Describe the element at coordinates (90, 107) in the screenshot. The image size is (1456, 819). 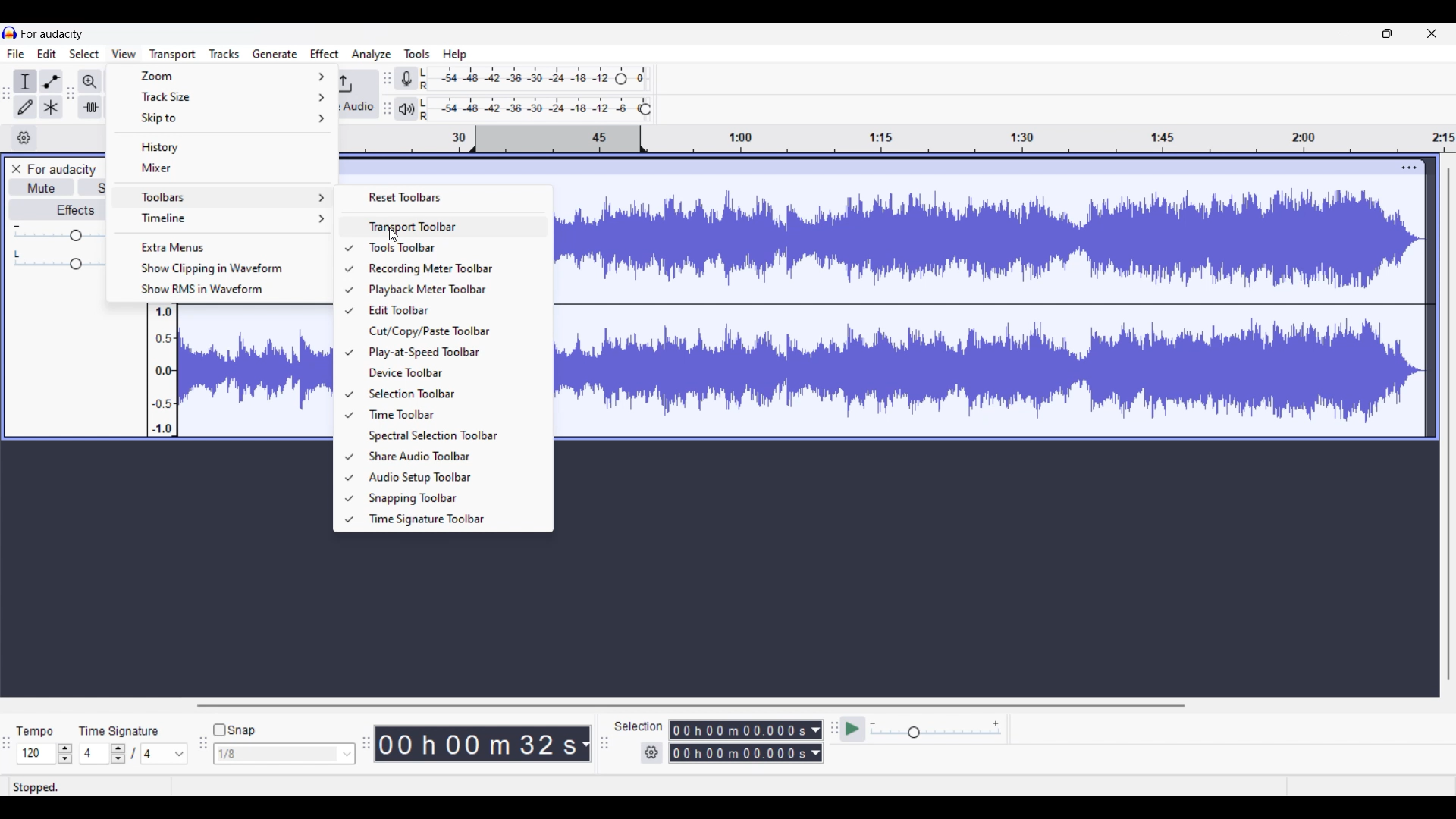
I see `Trim audio outside selection` at that location.